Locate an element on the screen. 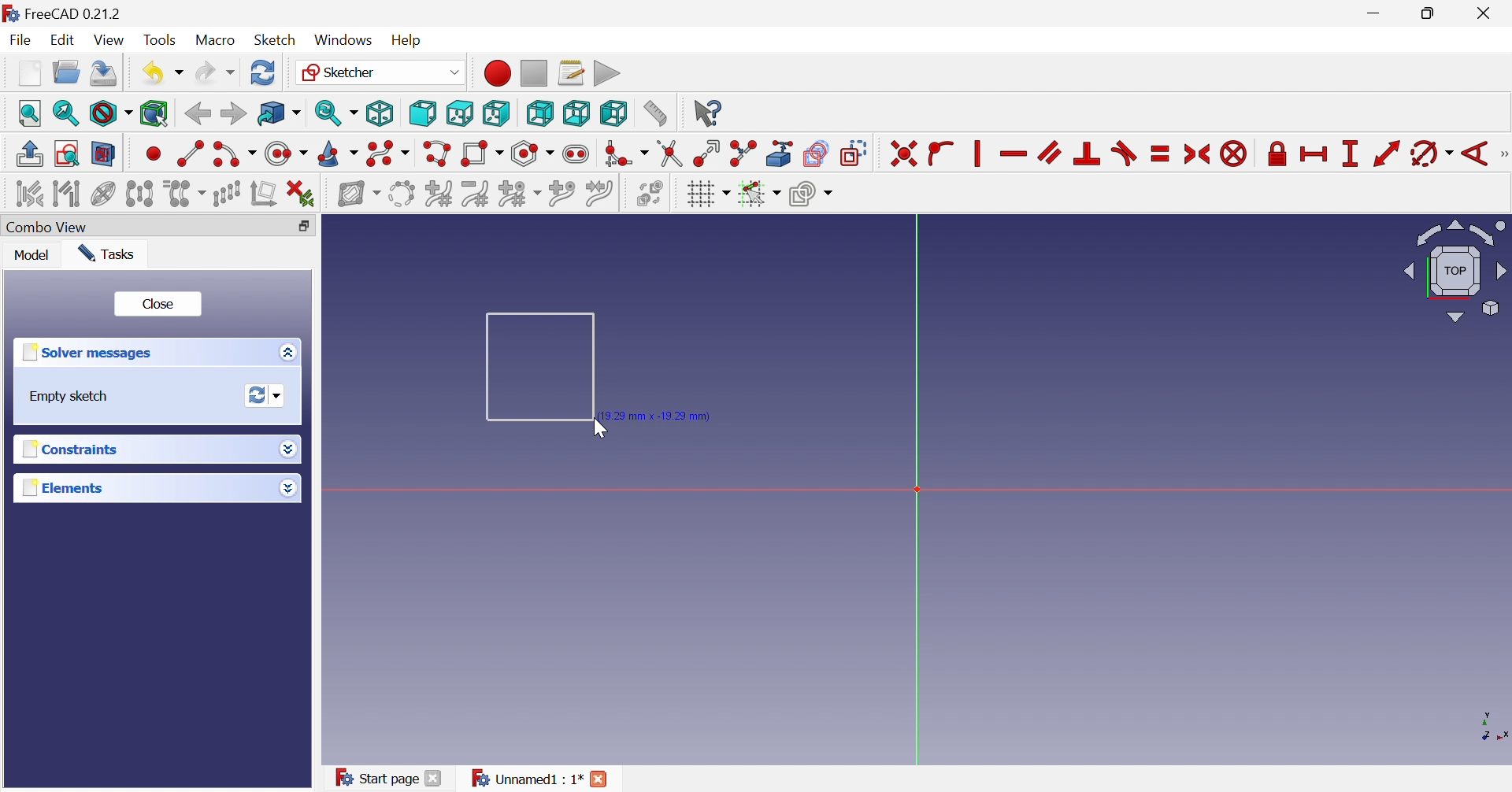  Split edge is located at coordinates (744, 154).